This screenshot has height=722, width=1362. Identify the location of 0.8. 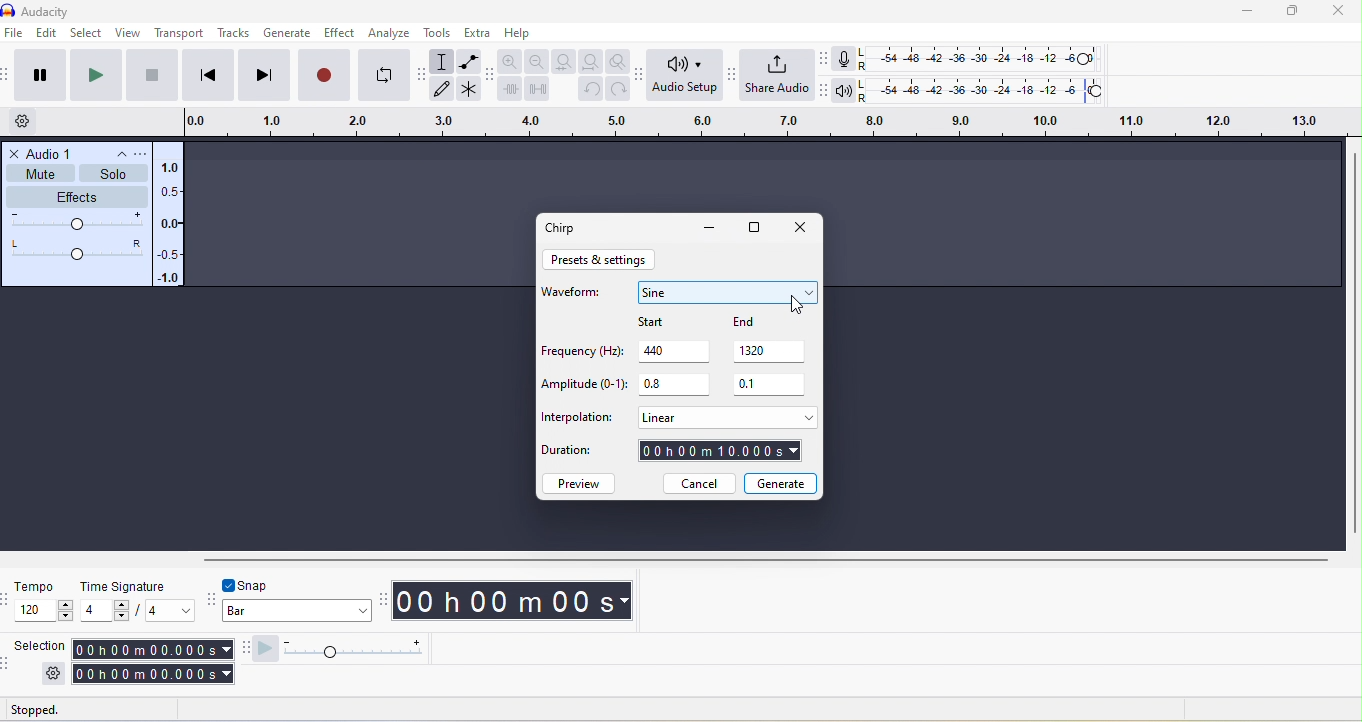
(673, 385).